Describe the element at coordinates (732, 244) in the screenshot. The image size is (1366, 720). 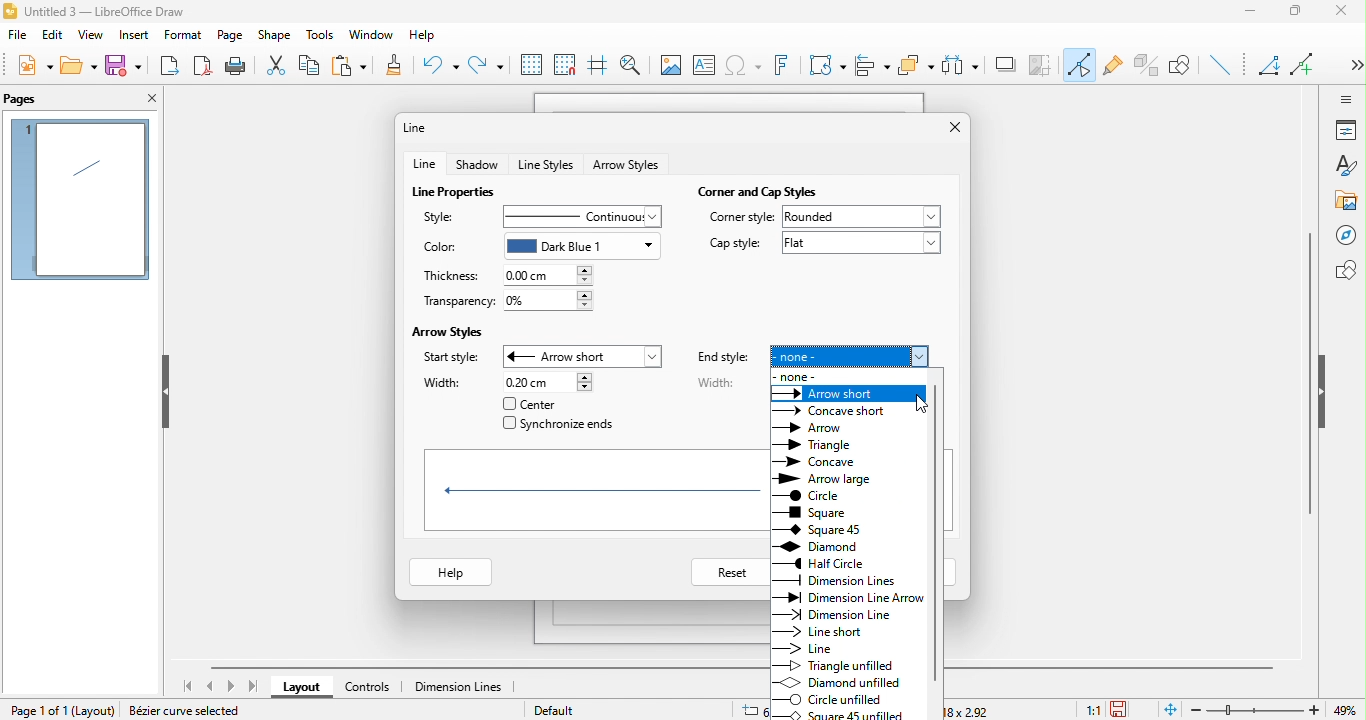
I see `cap style` at that location.